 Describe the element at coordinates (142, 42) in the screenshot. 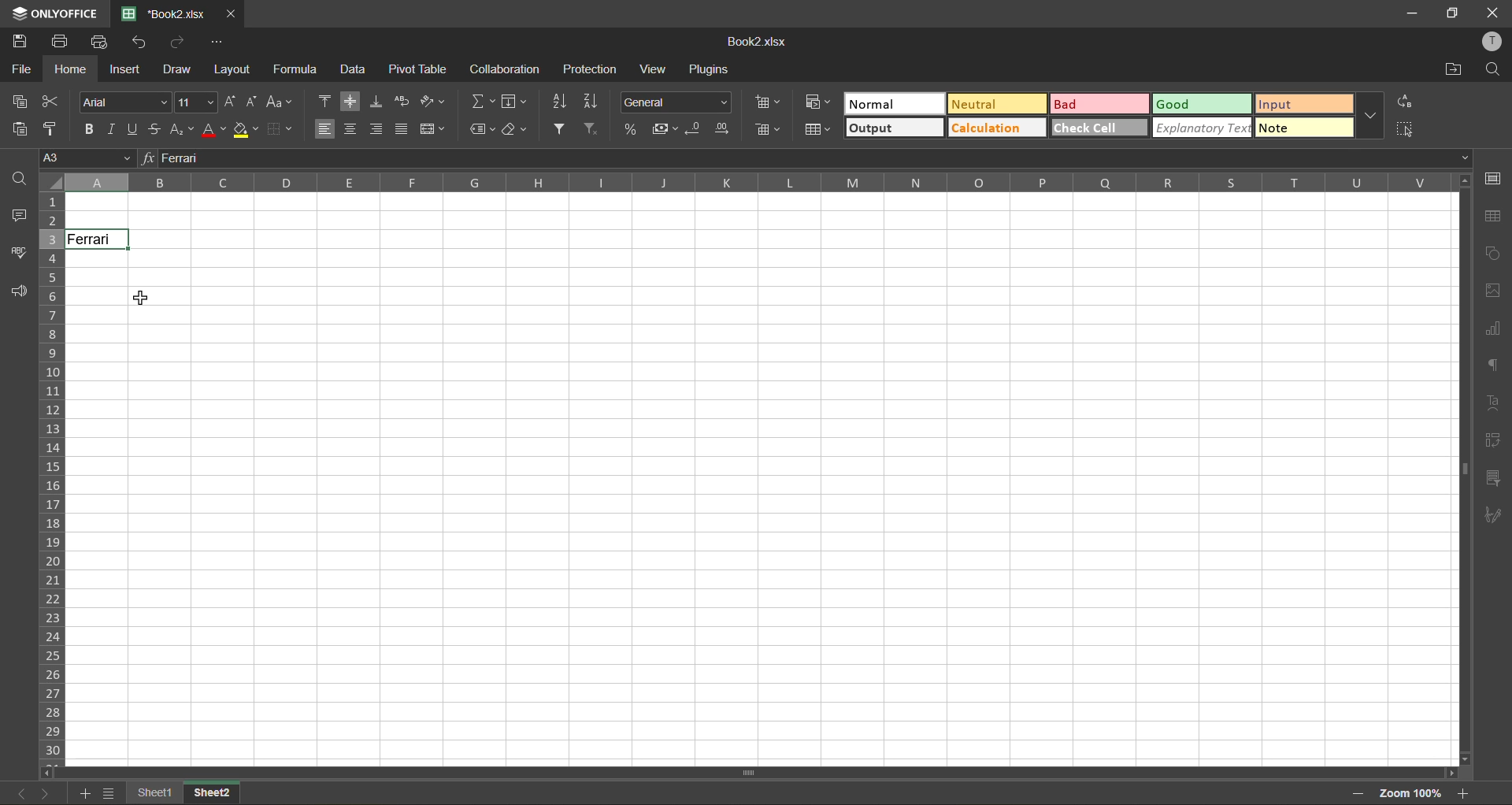

I see `undo` at that location.